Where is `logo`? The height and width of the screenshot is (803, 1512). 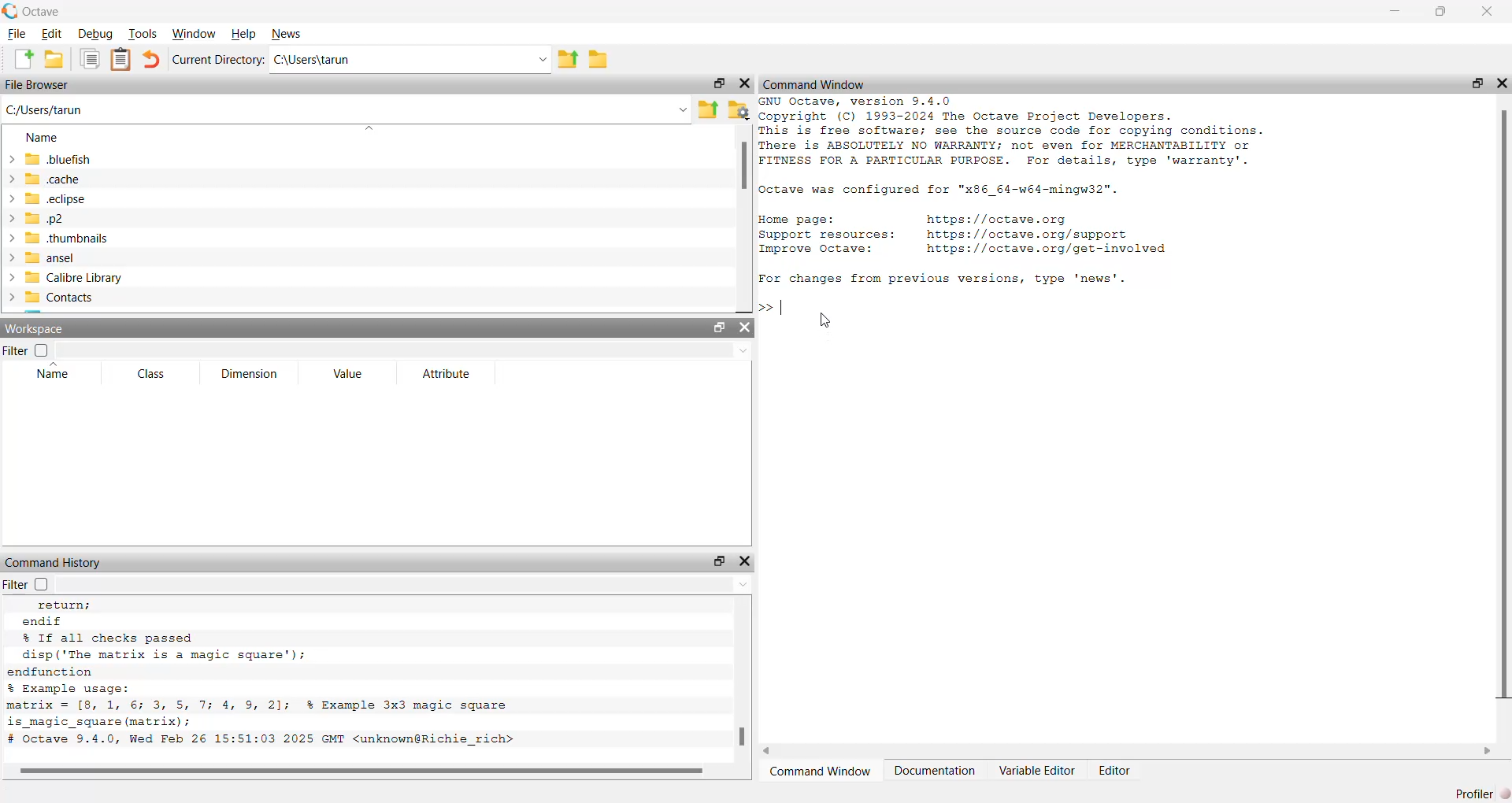 logo is located at coordinates (11, 11).